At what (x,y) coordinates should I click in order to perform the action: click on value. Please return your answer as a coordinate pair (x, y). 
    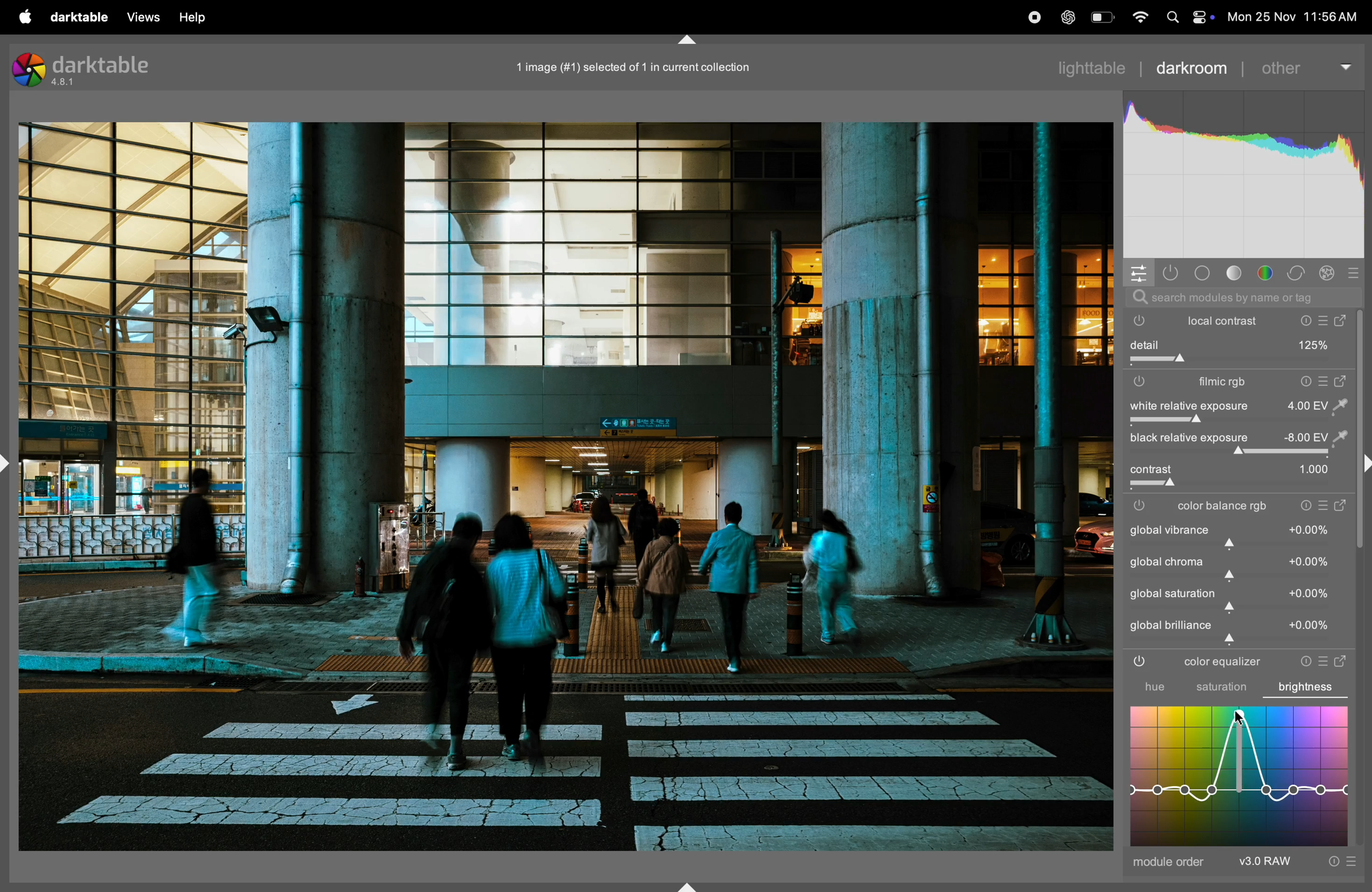
    Looking at the image, I should click on (1316, 437).